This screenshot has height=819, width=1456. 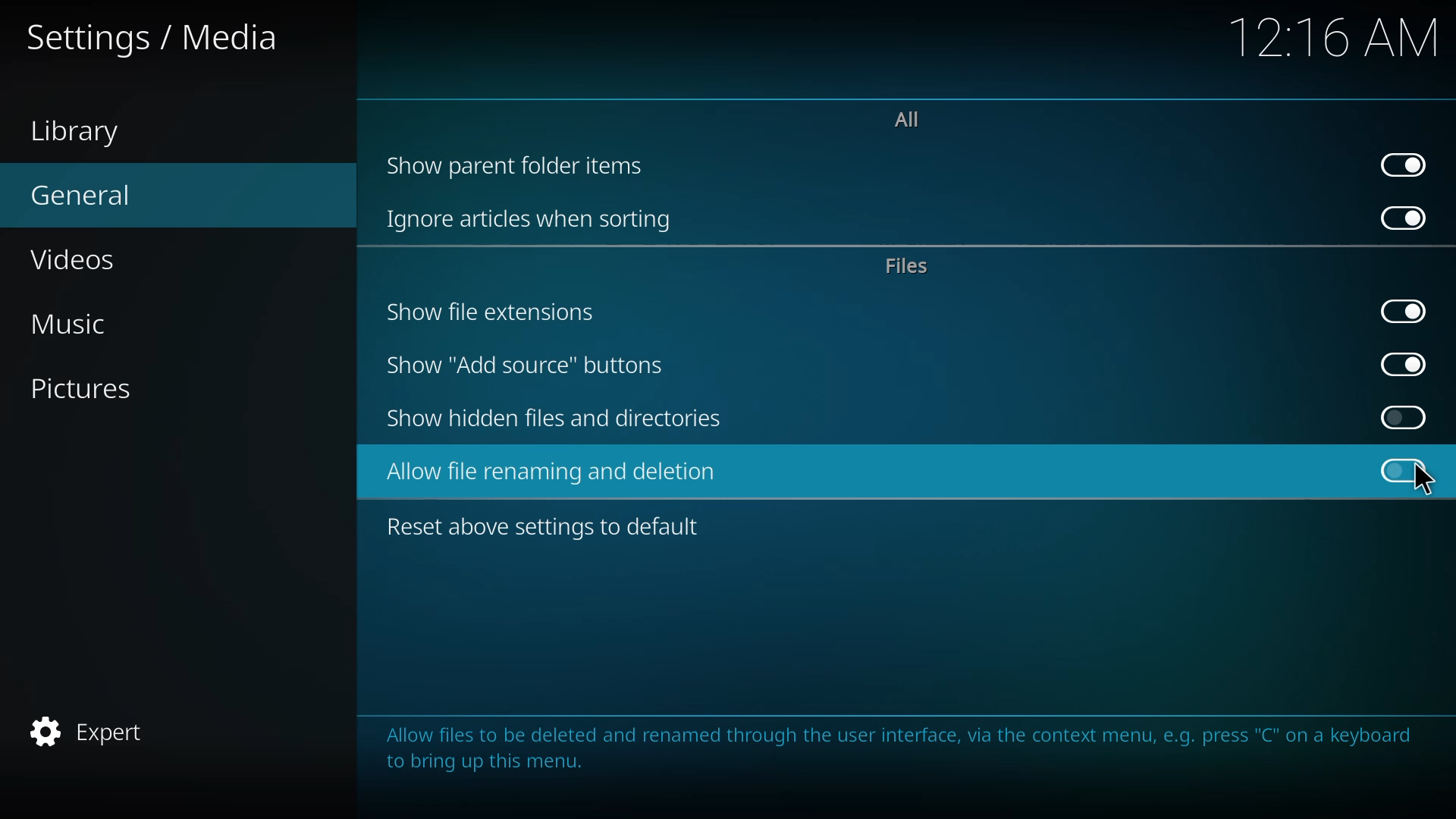 I want to click on enabled, so click(x=1408, y=218).